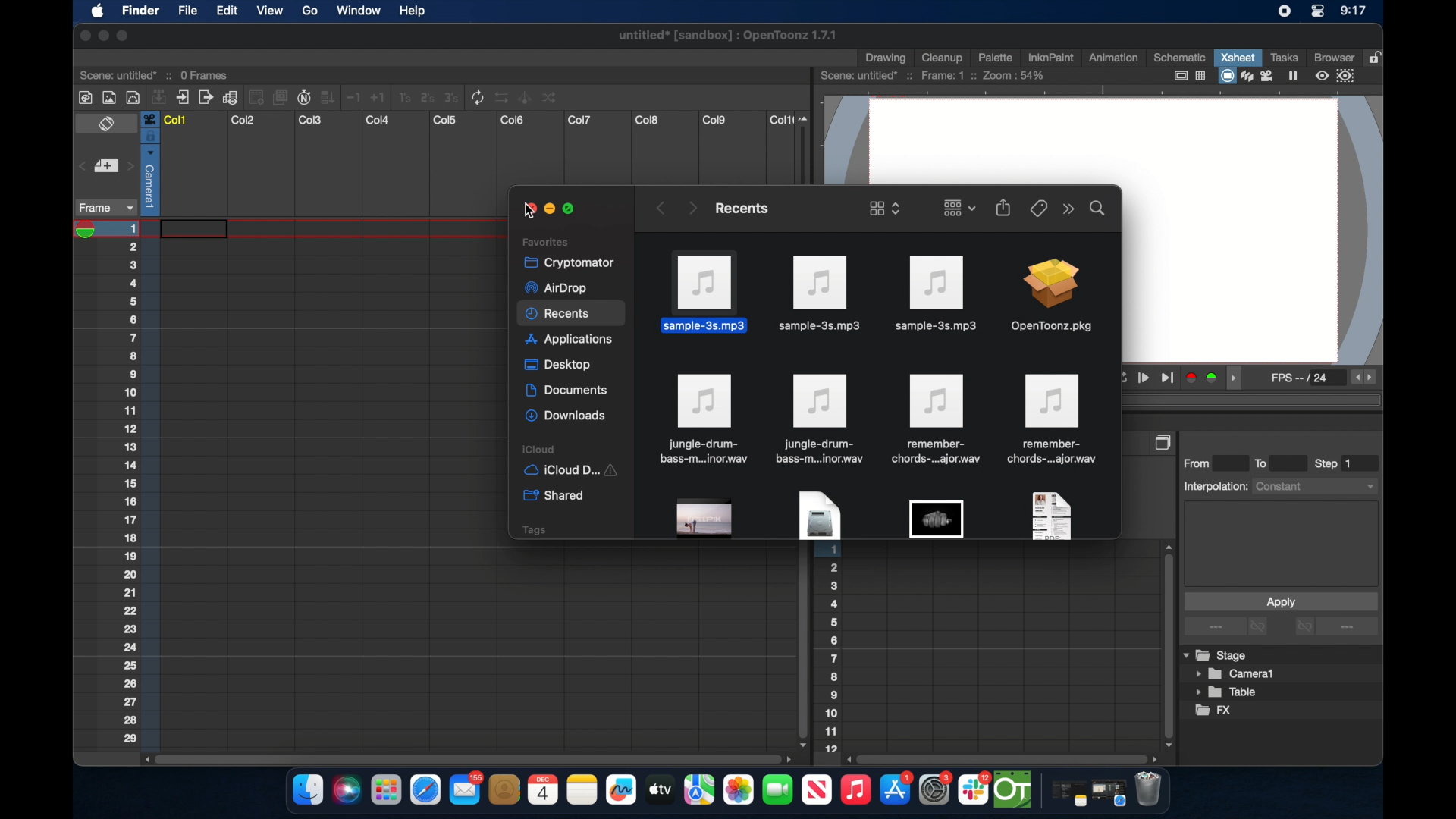 The width and height of the screenshot is (1456, 819). What do you see at coordinates (1054, 419) in the screenshot?
I see `file` at bounding box center [1054, 419].